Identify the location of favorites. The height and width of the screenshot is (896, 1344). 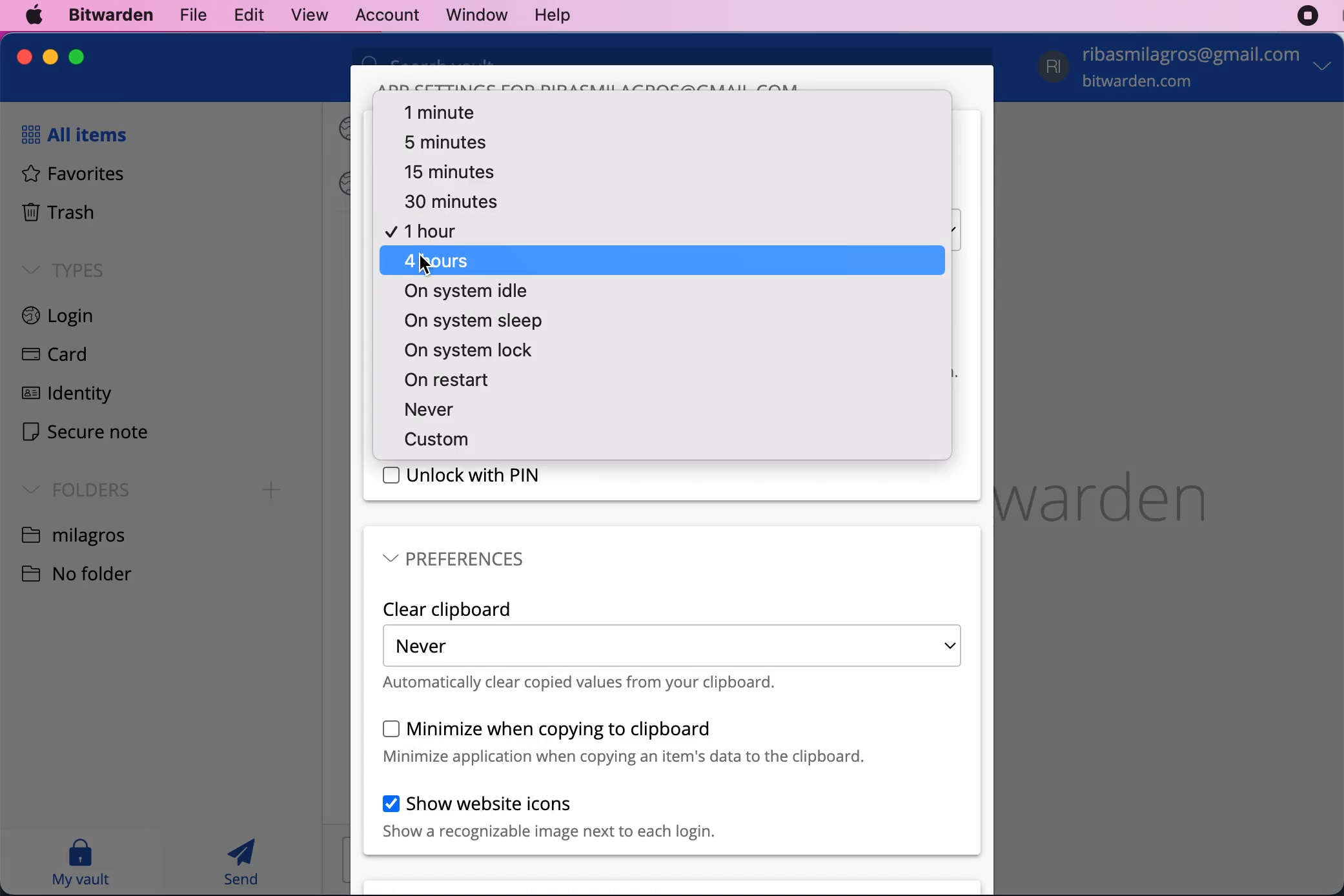
(66, 176).